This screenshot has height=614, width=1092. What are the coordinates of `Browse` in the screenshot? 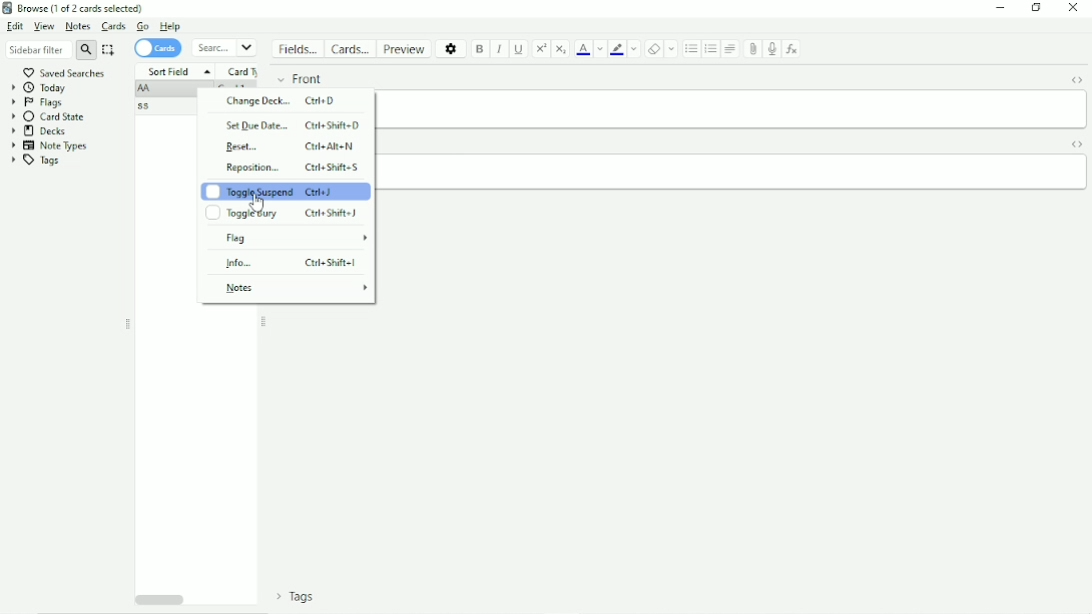 It's located at (77, 9).